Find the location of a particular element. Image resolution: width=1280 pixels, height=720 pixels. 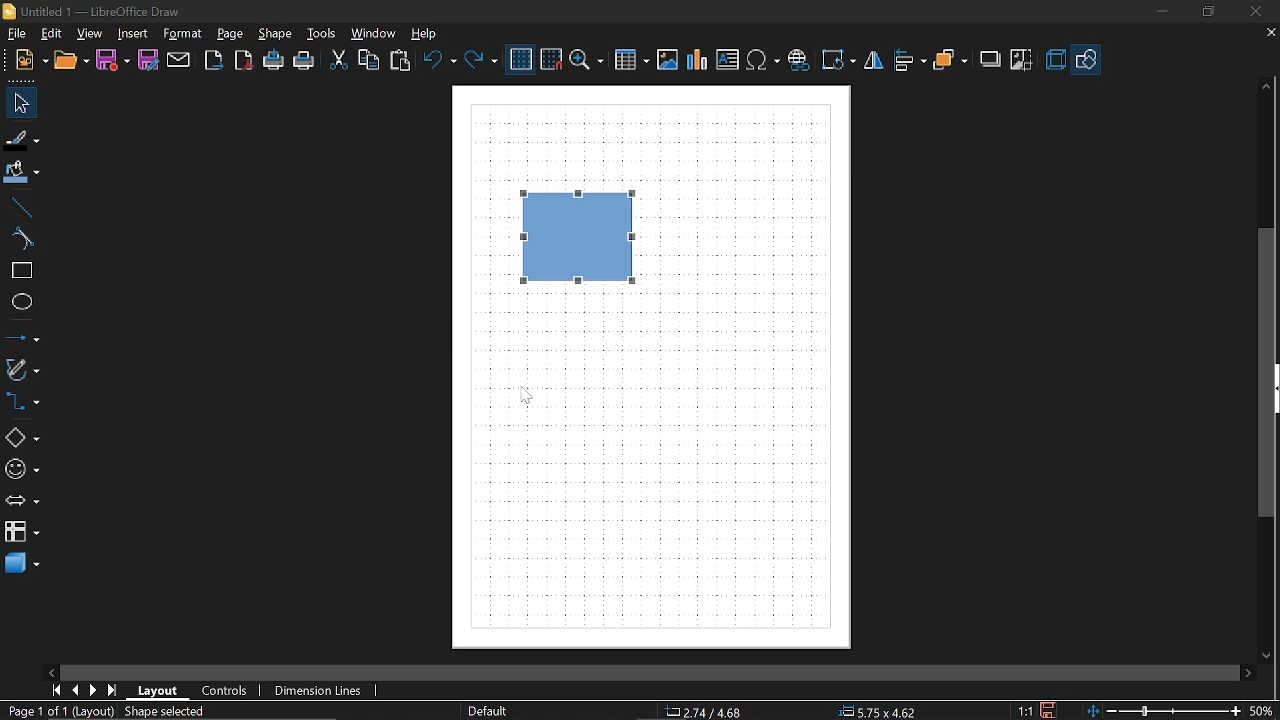

Insert is located at coordinates (132, 34).